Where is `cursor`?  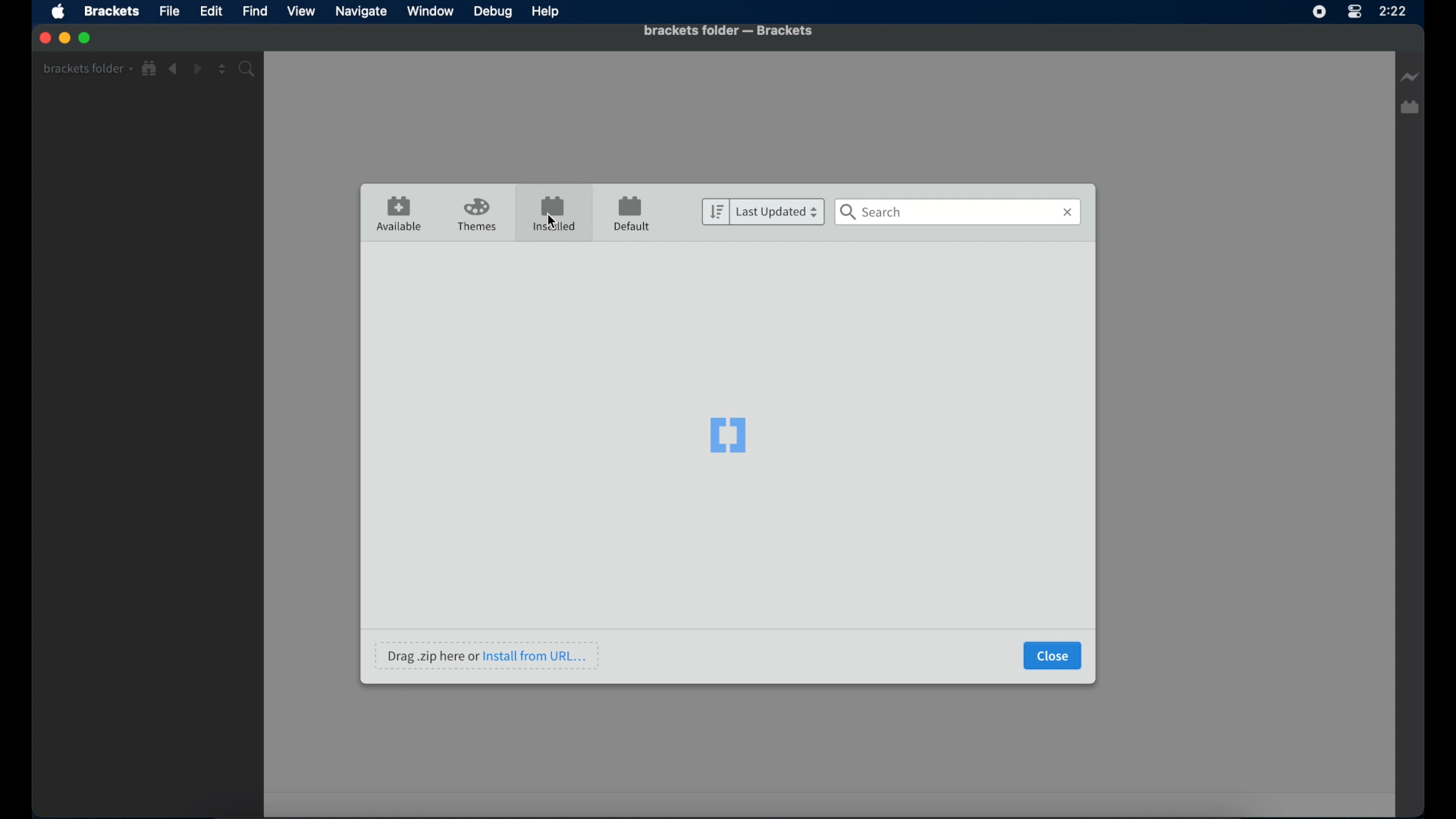 cursor is located at coordinates (552, 221).